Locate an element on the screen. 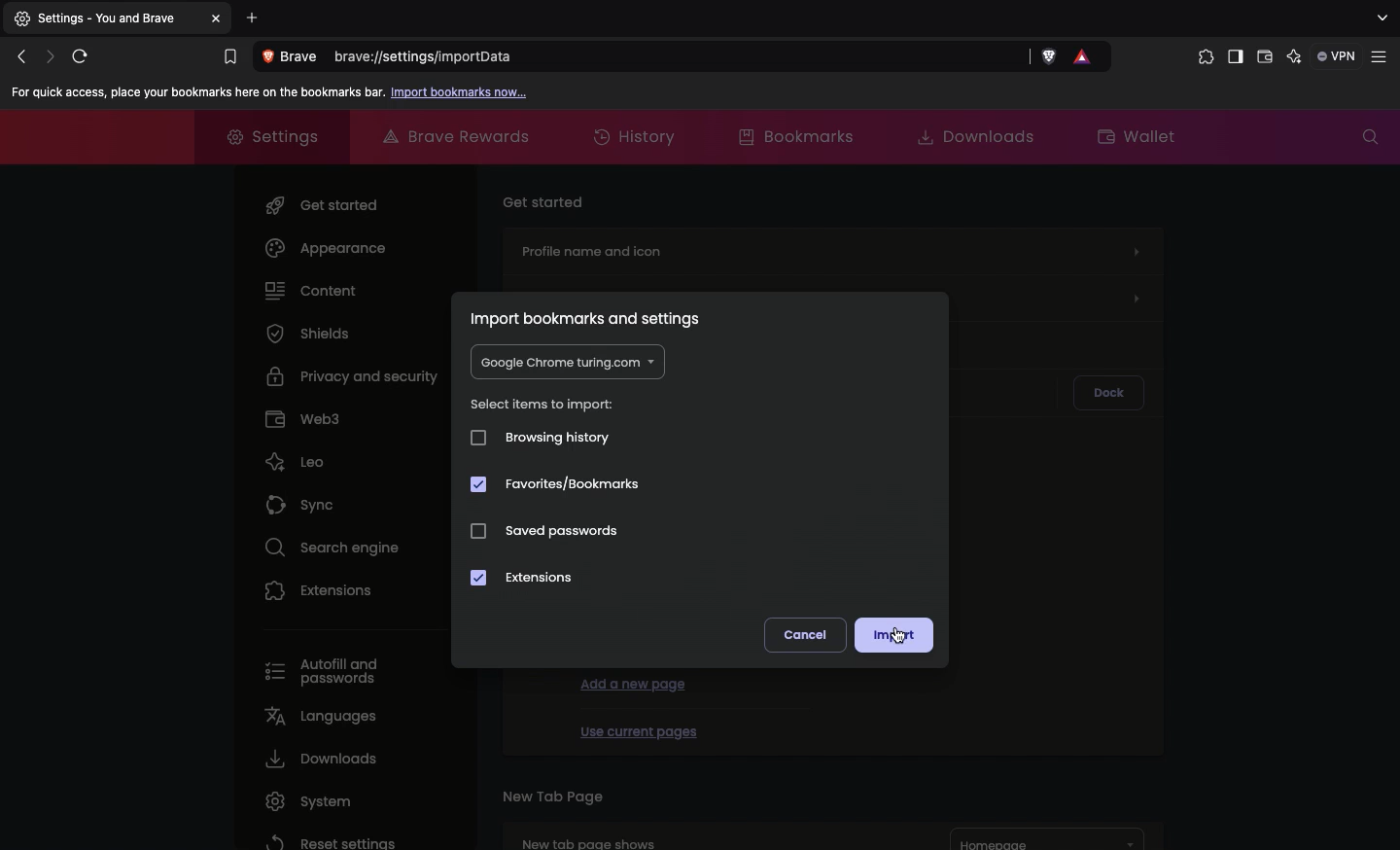 Image resolution: width=1400 pixels, height=850 pixels. View site information is located at coordinates (294, 57).